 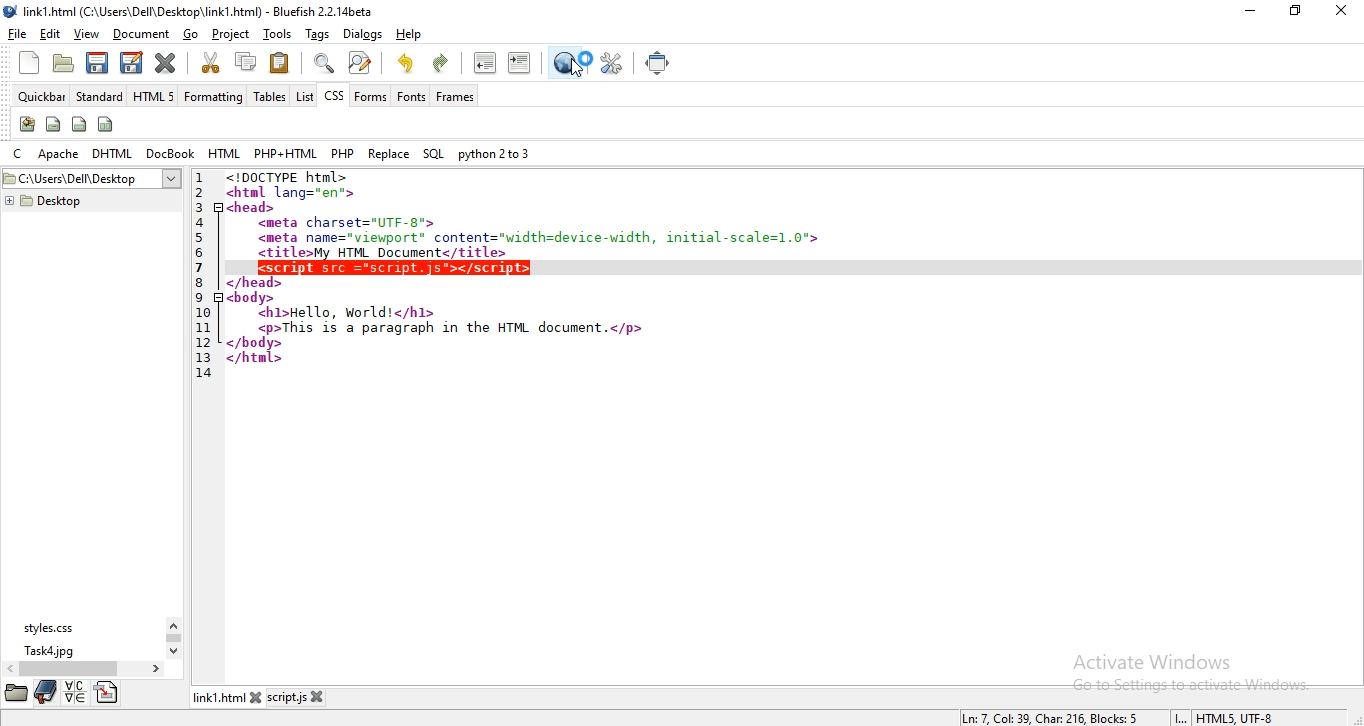 What do you see at coordinates (1235, 717) in the screenshot?
I see `text encoding` at bounding box center [1235, 717].